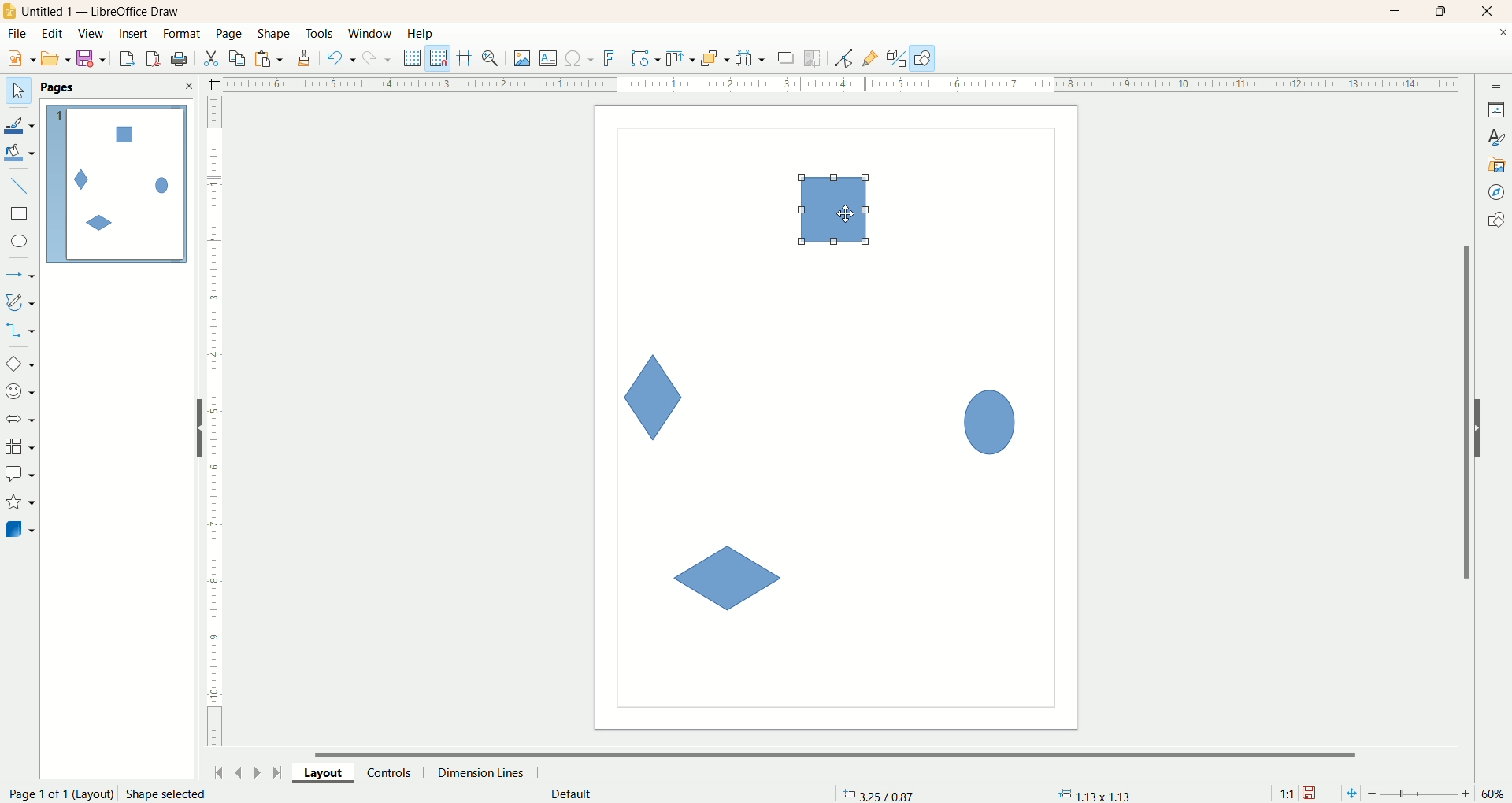  I want to click on tools, so click(321, 35).